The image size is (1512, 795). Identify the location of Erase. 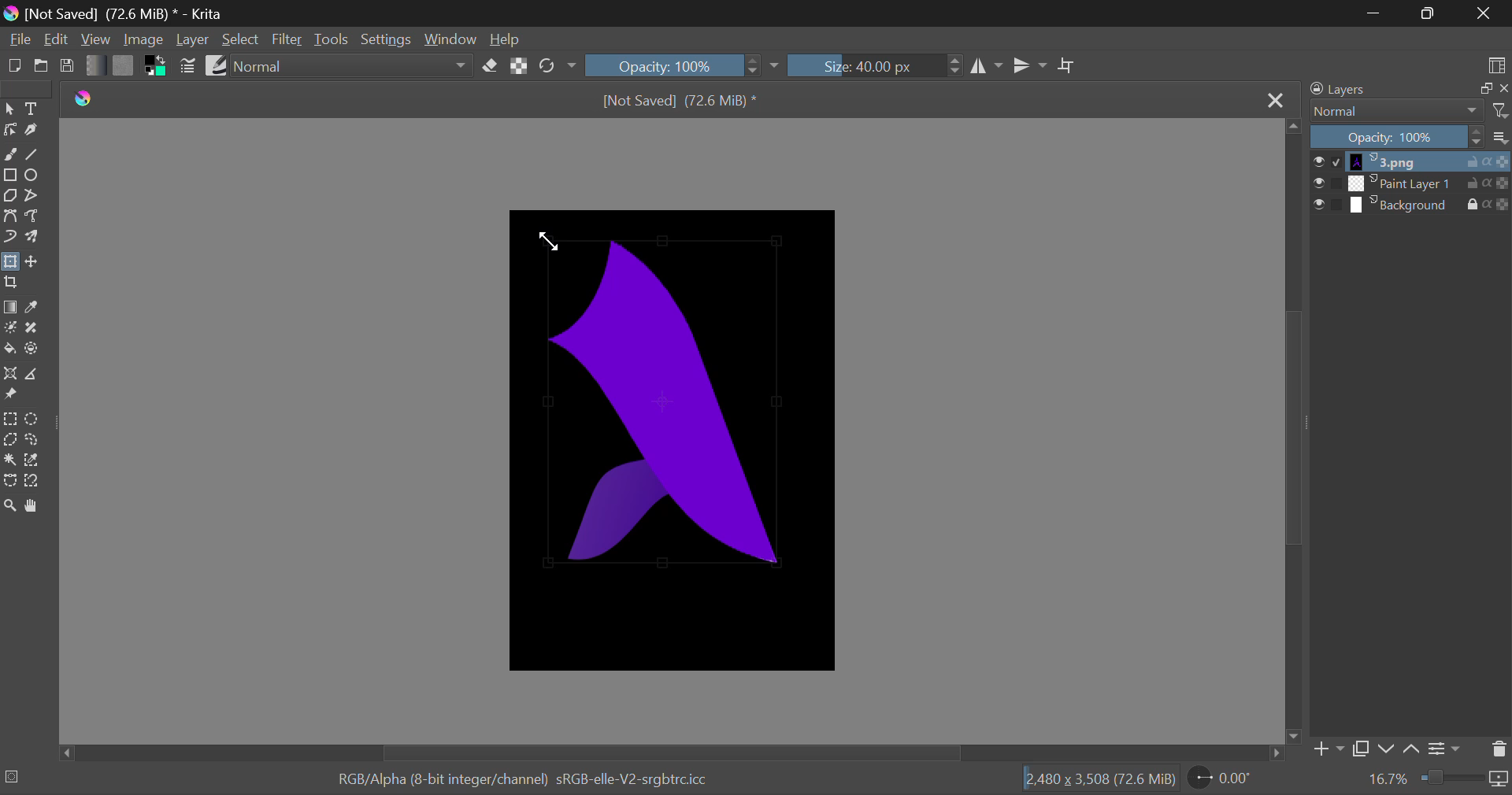
(491, 66).